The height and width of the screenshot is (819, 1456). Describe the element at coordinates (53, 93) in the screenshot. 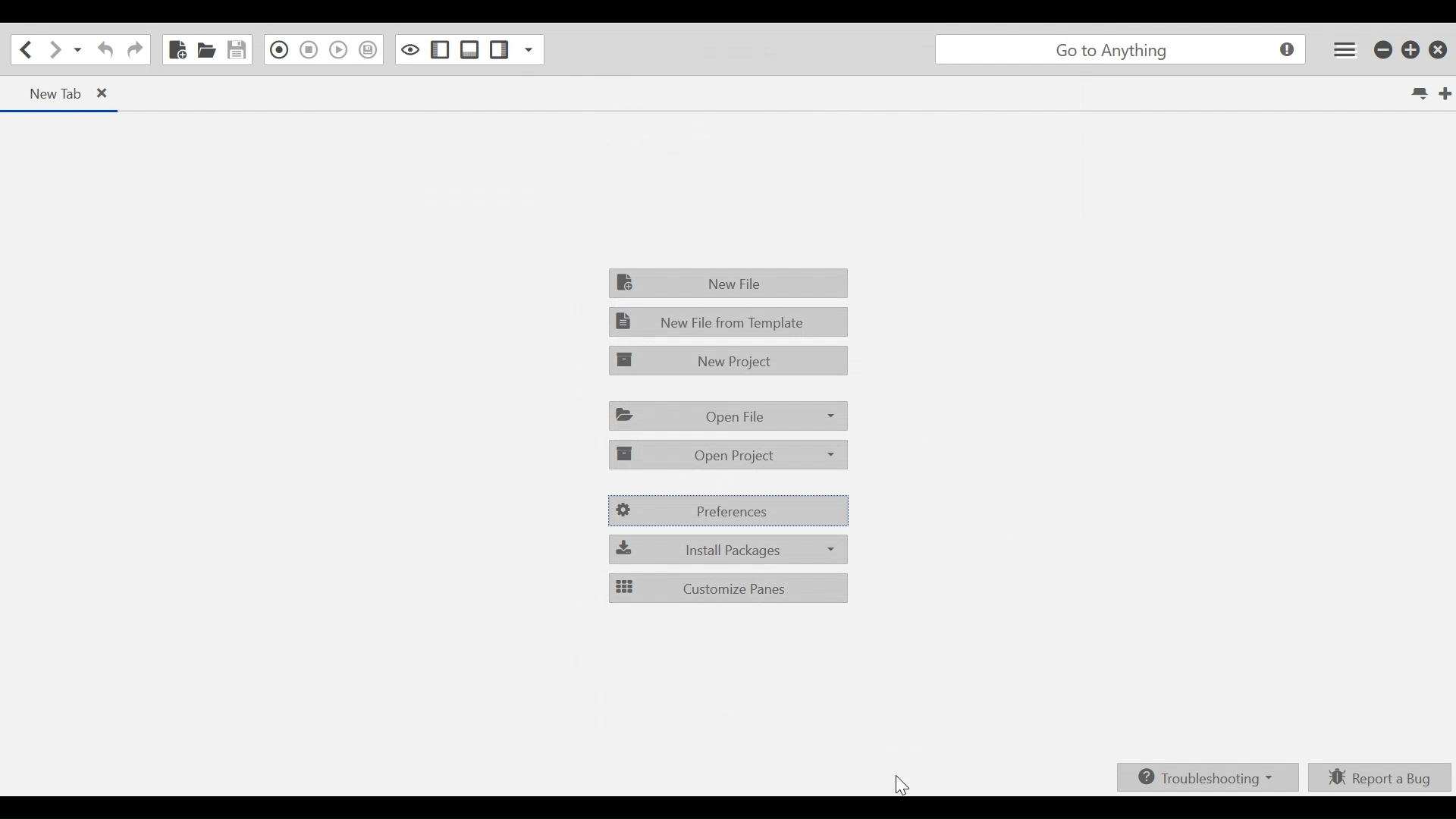

I see `new Tab` at that location.